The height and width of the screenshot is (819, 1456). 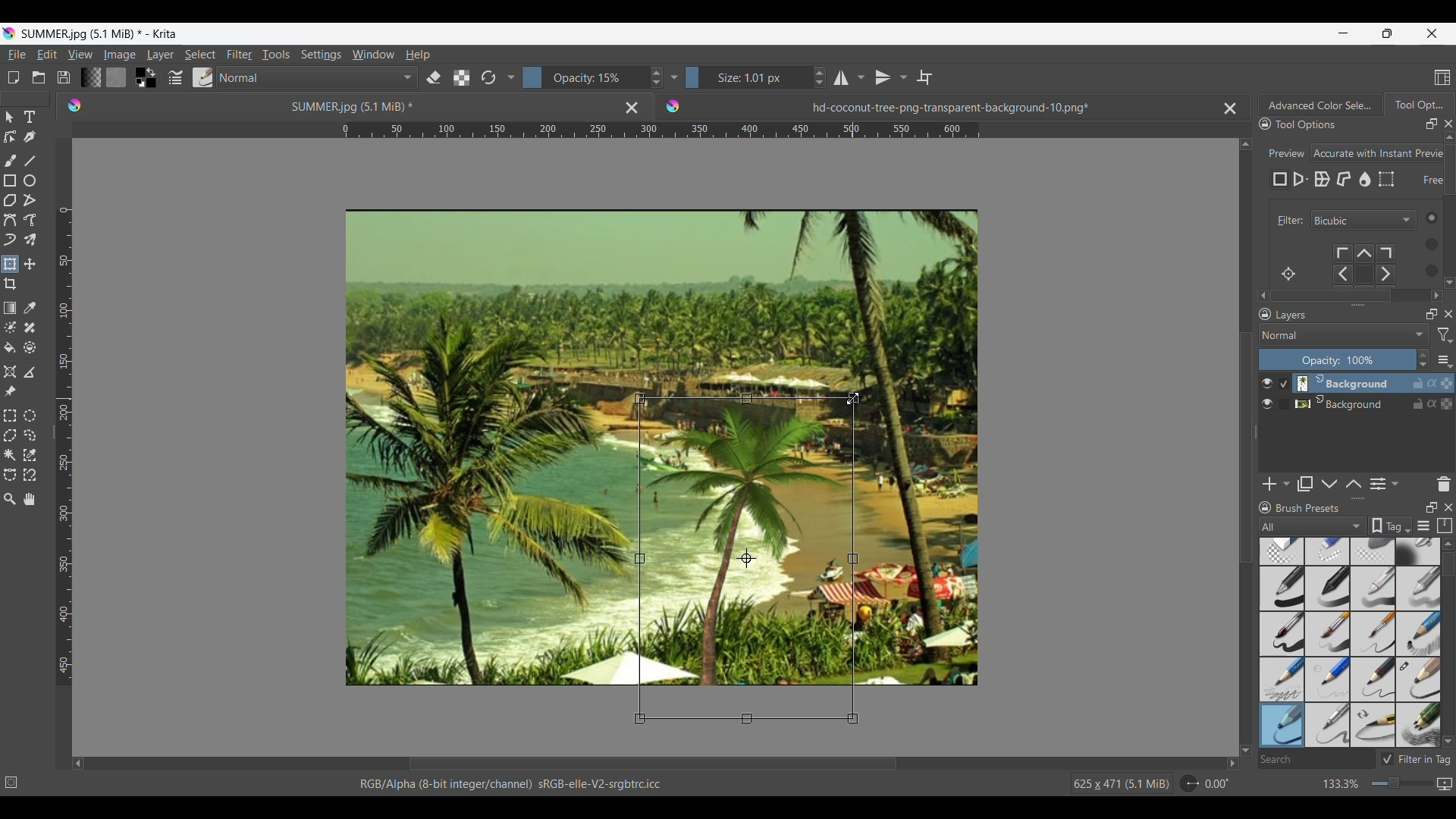 I want to click on Edit, so click(x=46, y=54).